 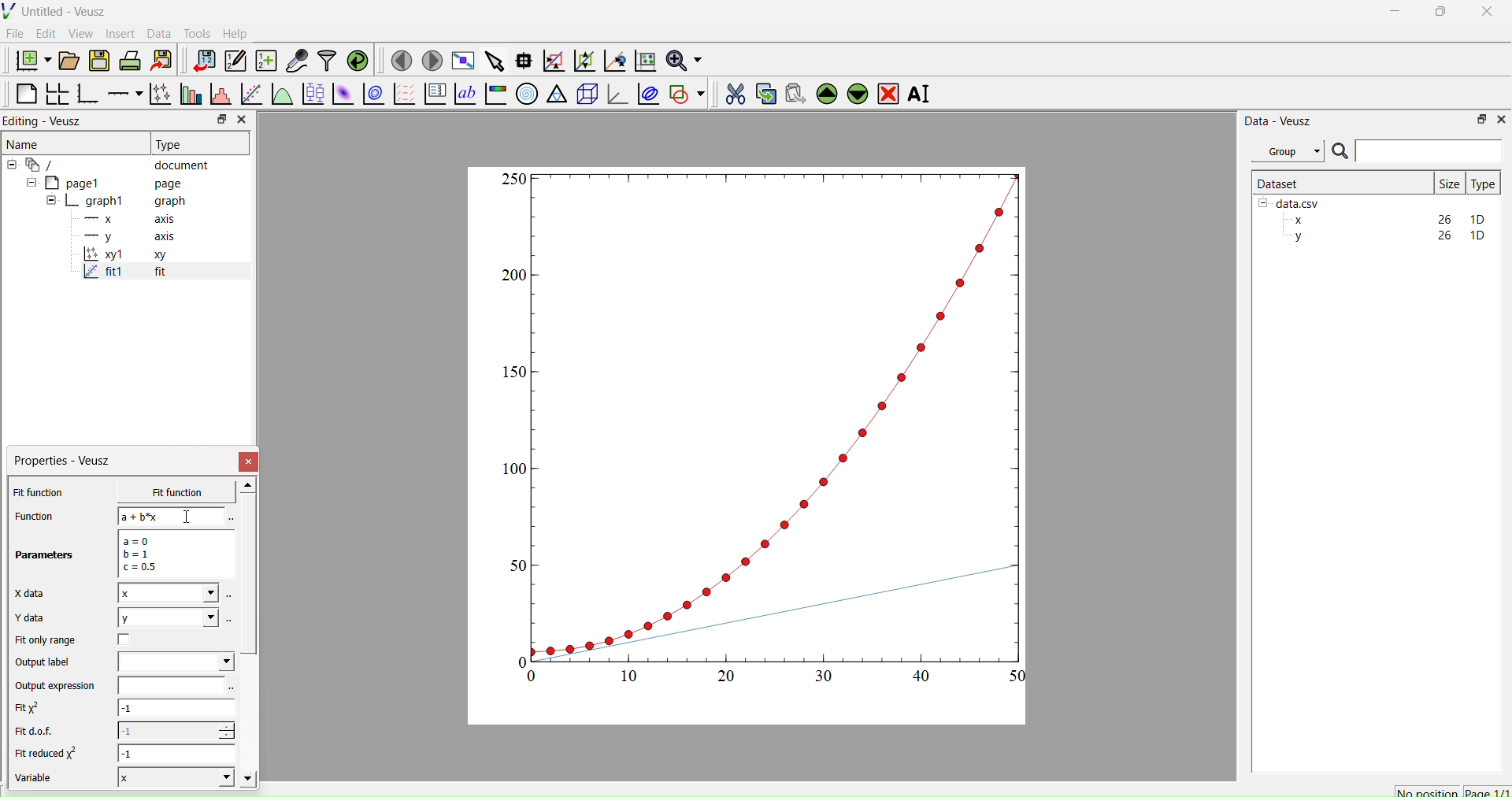 What do you see at coordinates (428, 61) in the screenshot?
I see `Next page` at bounding box center [428, 61].